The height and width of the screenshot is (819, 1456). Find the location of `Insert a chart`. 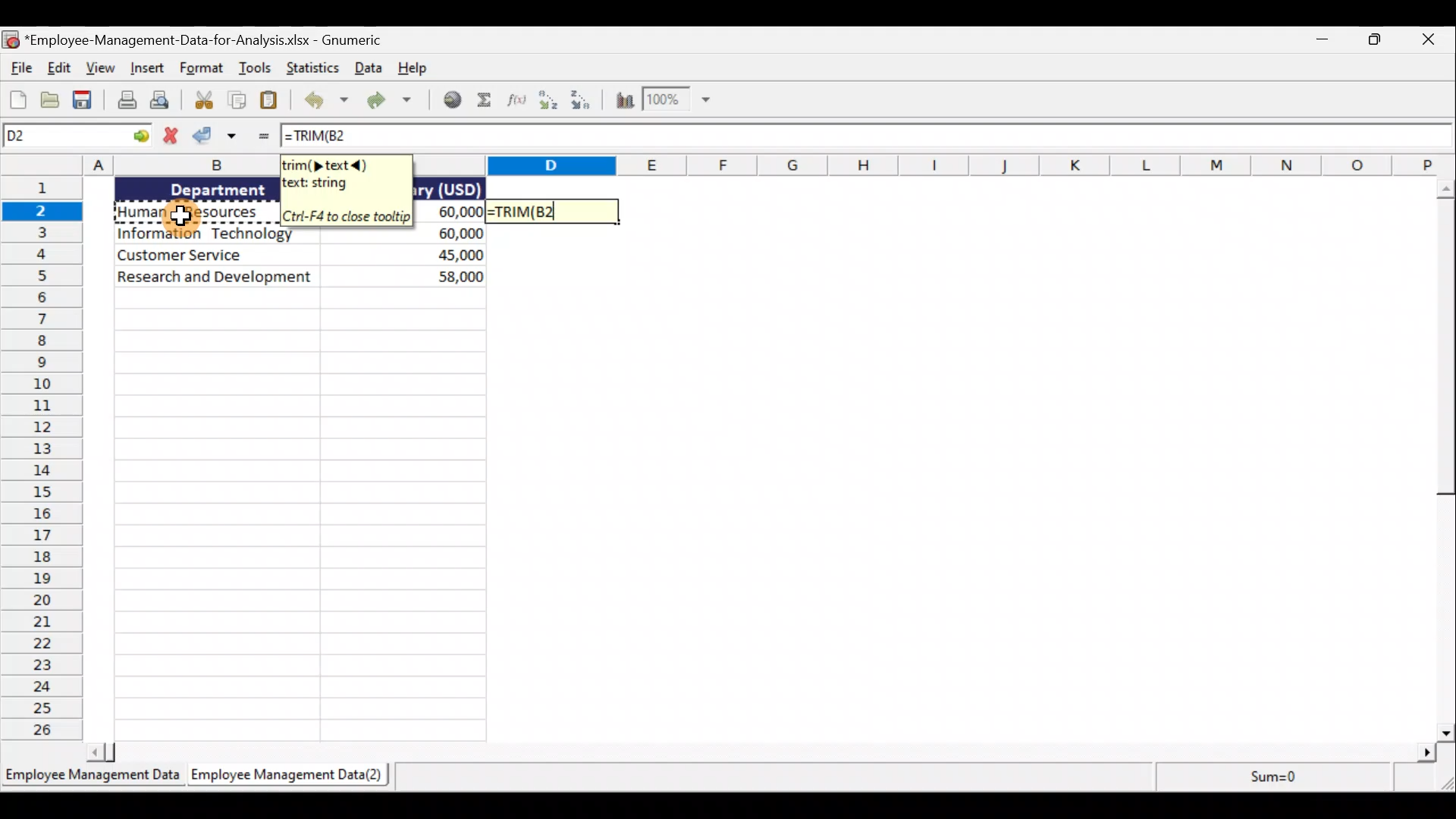

Insert a chart is located at coordinates (625, 101).